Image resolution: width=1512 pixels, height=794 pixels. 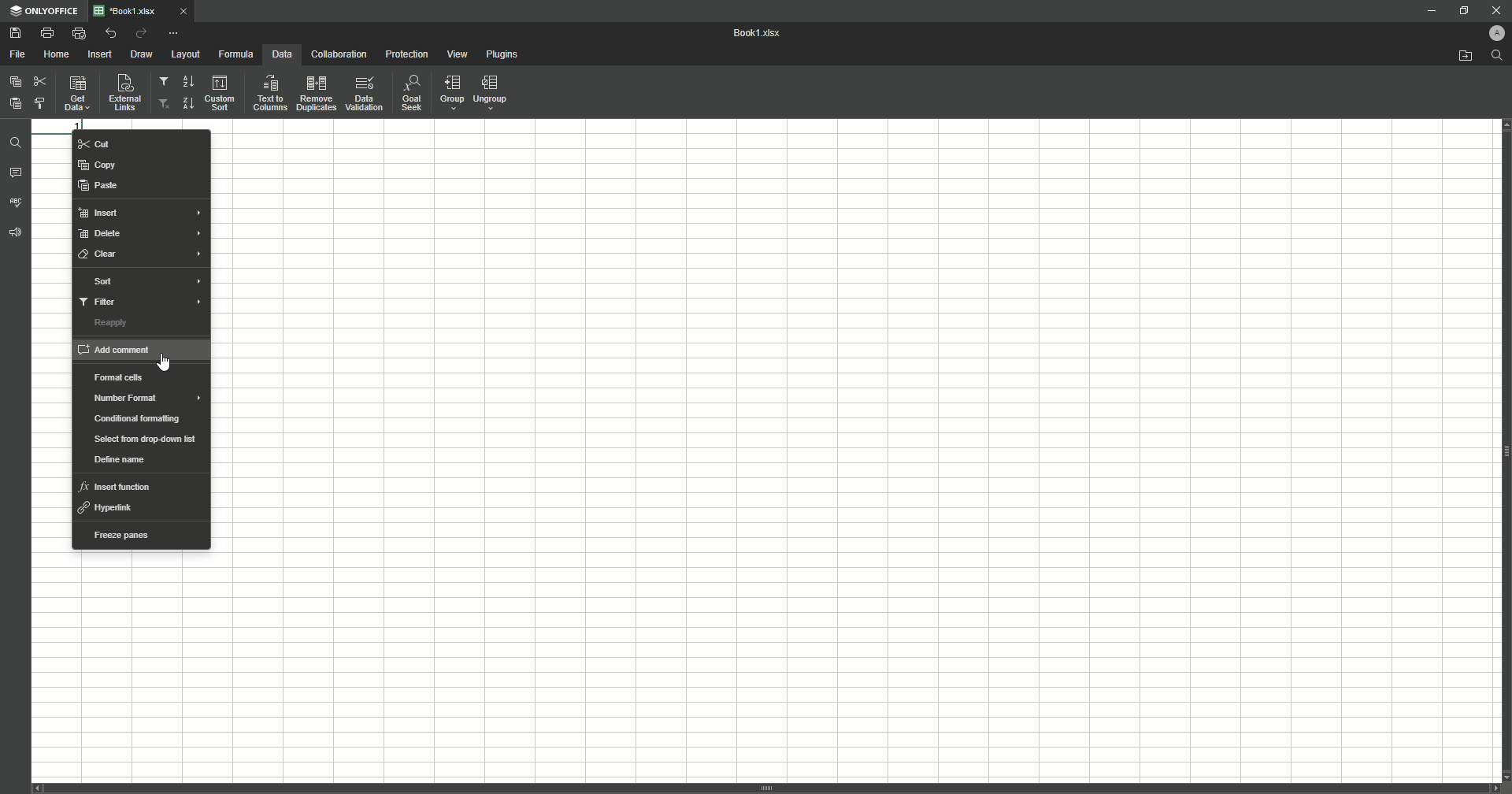 What do you see at coordinates (58, 123) in the screenshot?
I see `1` at bounding box center [58, 123].